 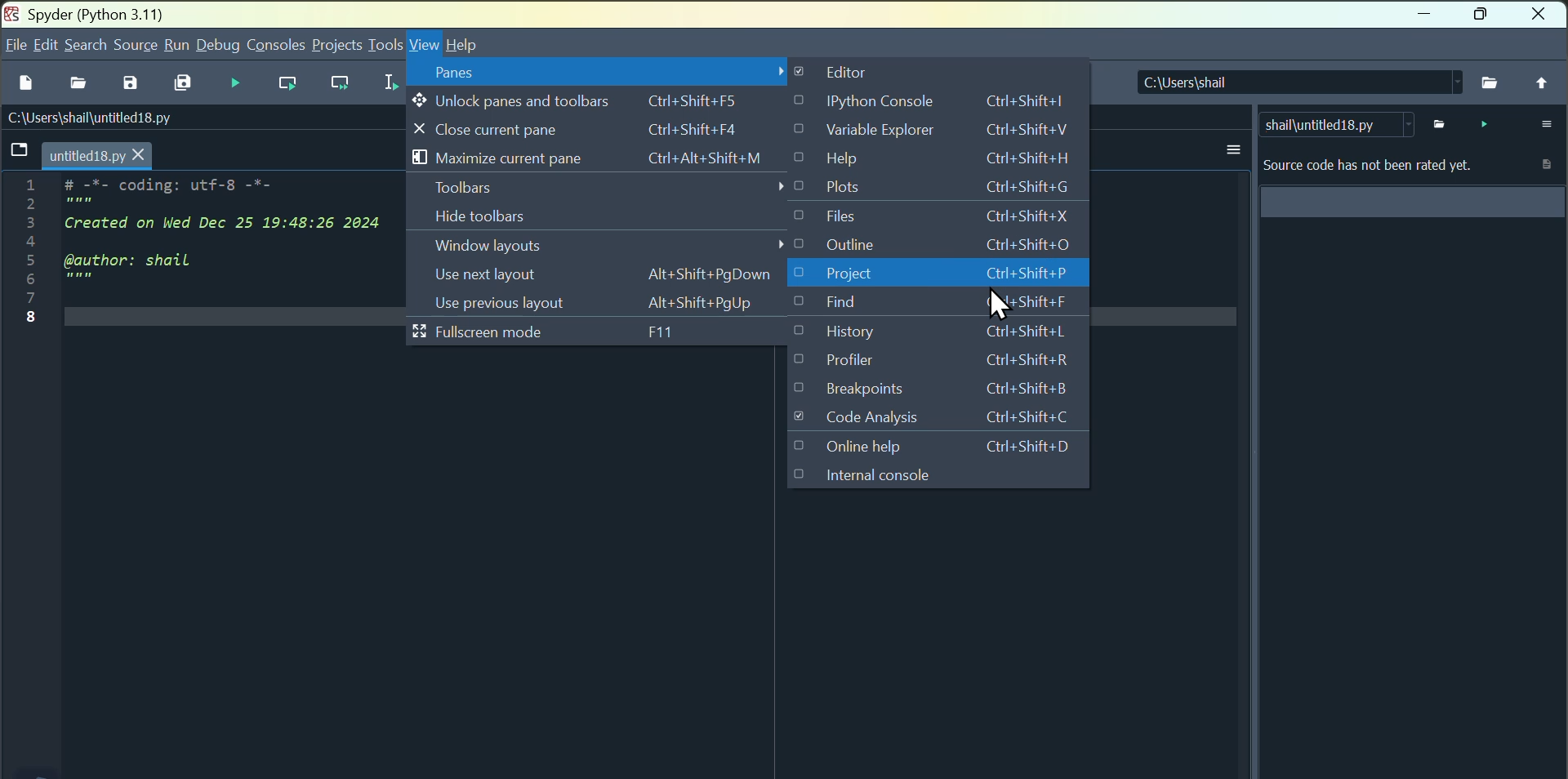 What do you see at coordinates (935, 99) in the screenshot?
I see `I python consoles` at bounding box center [935, 99].